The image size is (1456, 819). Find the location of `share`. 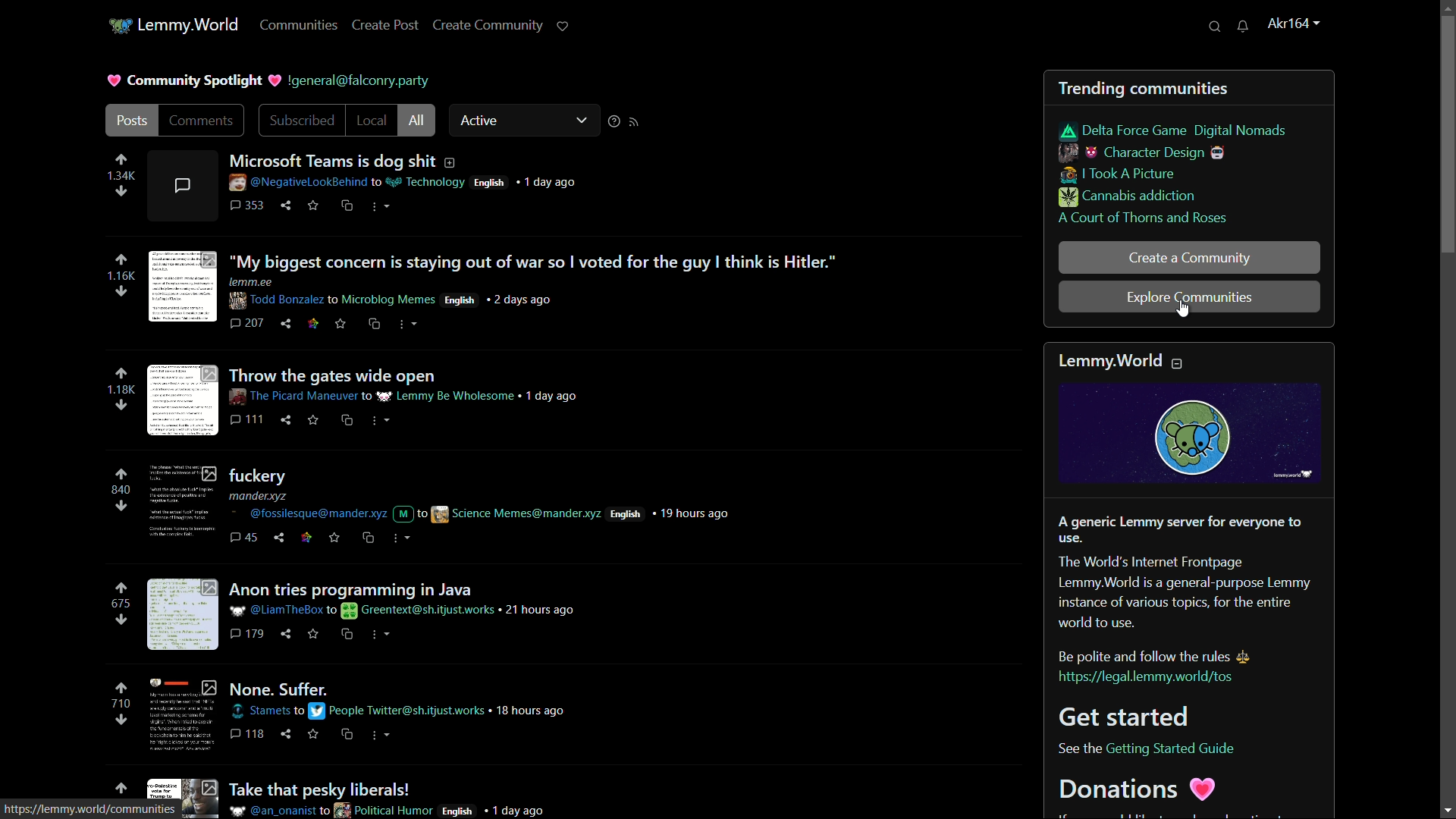

share is located at coordinates (287, 421).